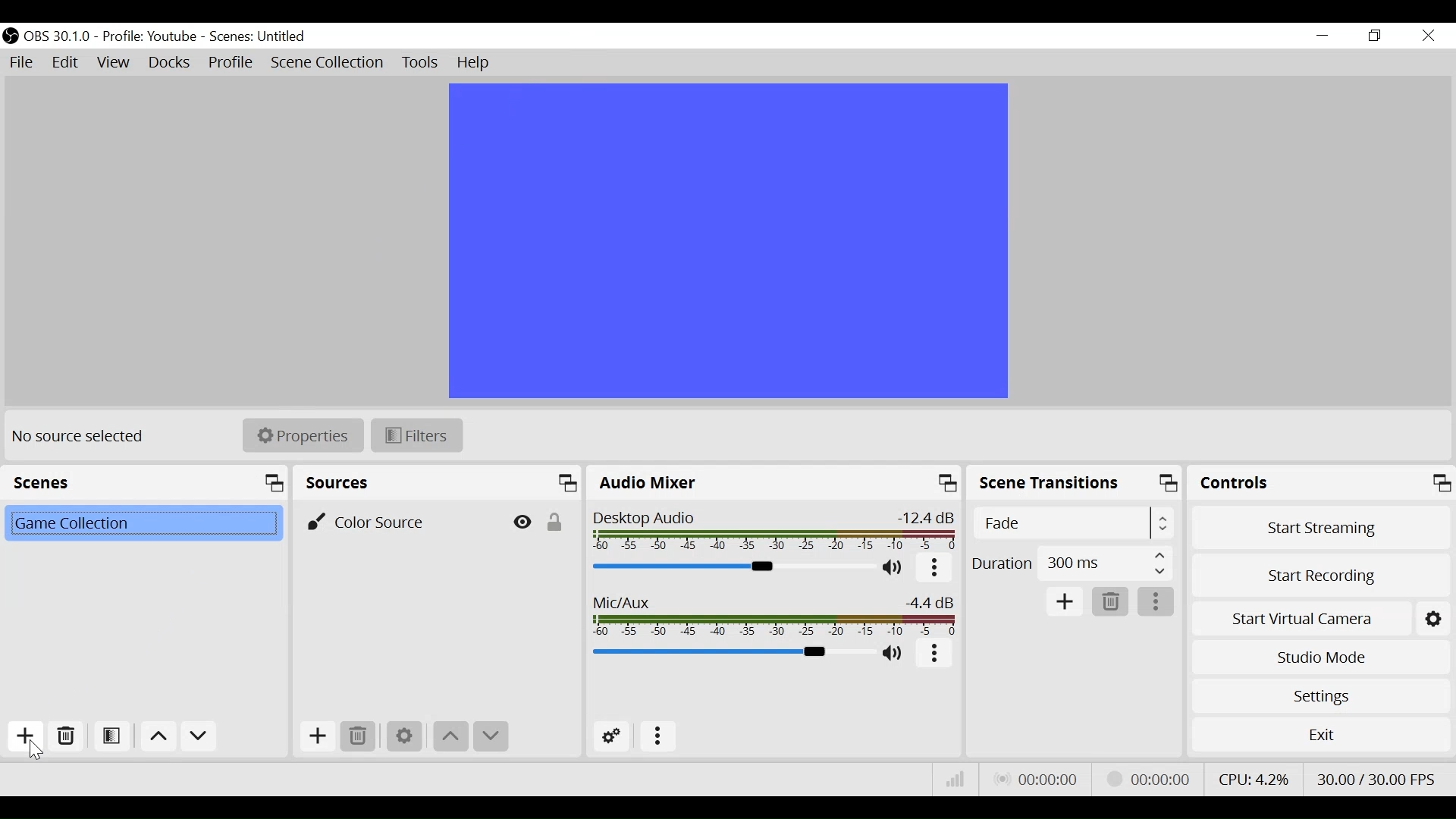 Image resolution: width=1456 pixels, height=819 pixels. What do you see at coordinates (730, 653) in the screenshot?
I see `Mic/Aux` at bounding box center [730, 653].